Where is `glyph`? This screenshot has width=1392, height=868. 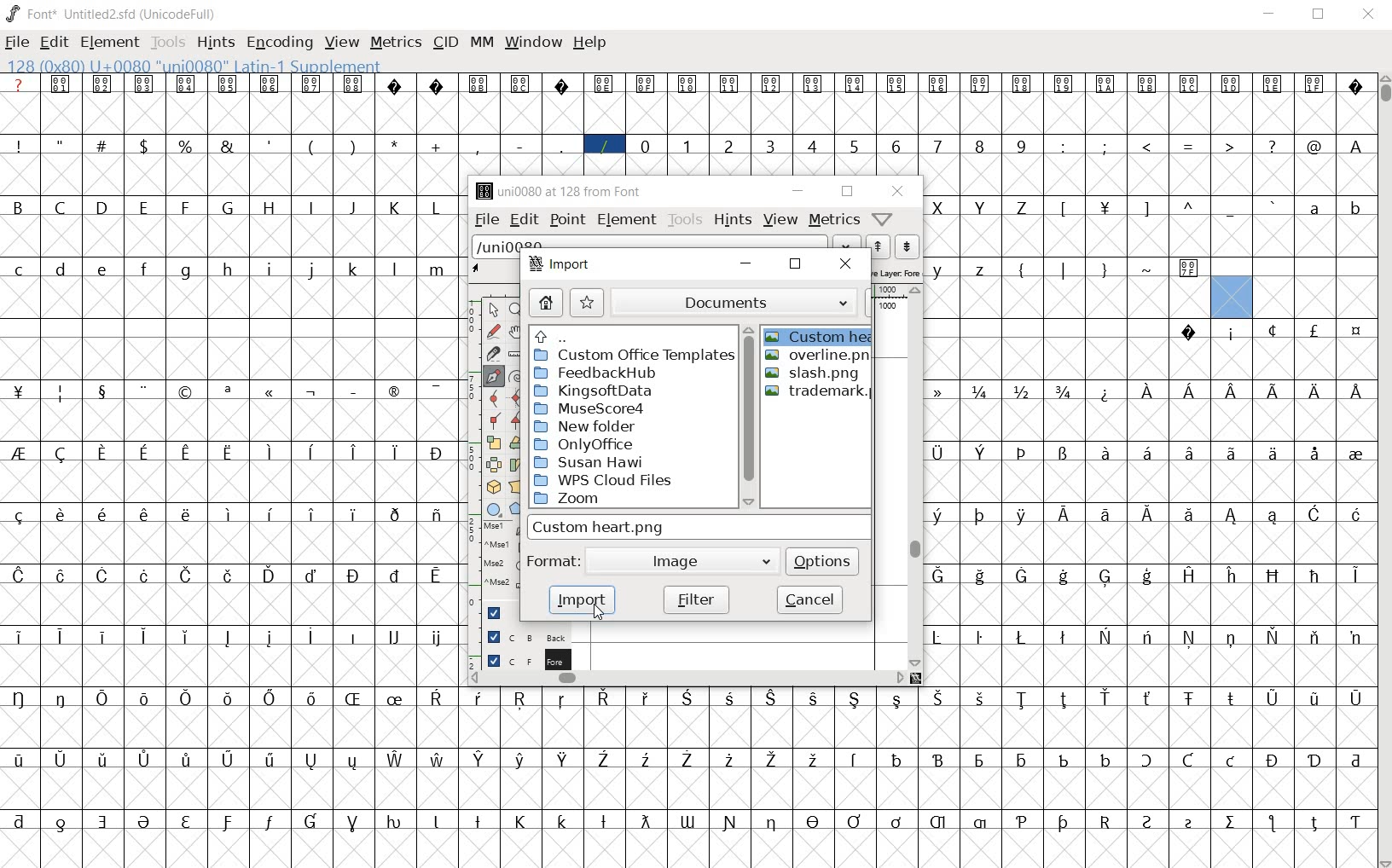
glyph is located at coordinates (311, 761).